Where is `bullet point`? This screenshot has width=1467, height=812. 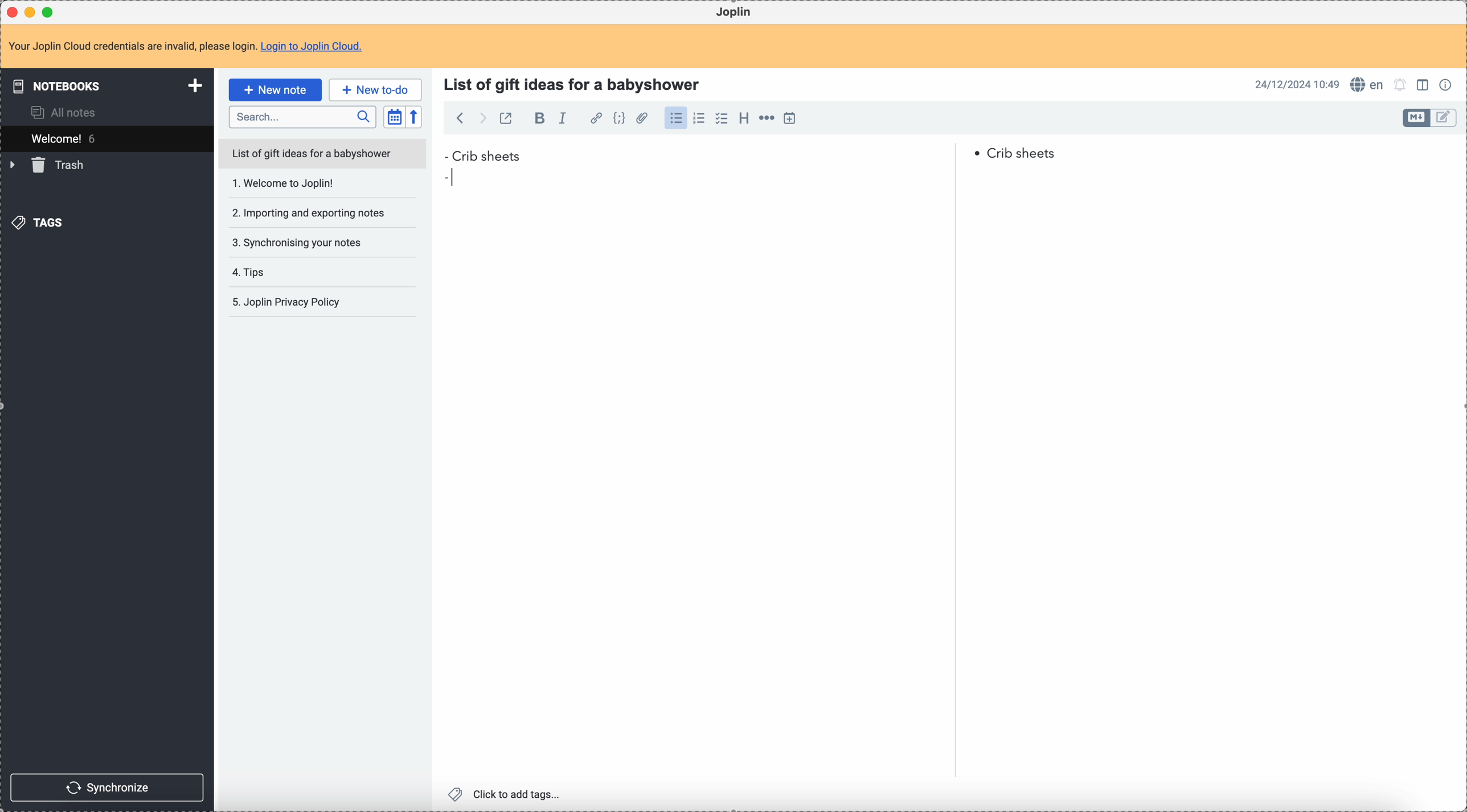 bullet point is located at coordinates (445, 156).